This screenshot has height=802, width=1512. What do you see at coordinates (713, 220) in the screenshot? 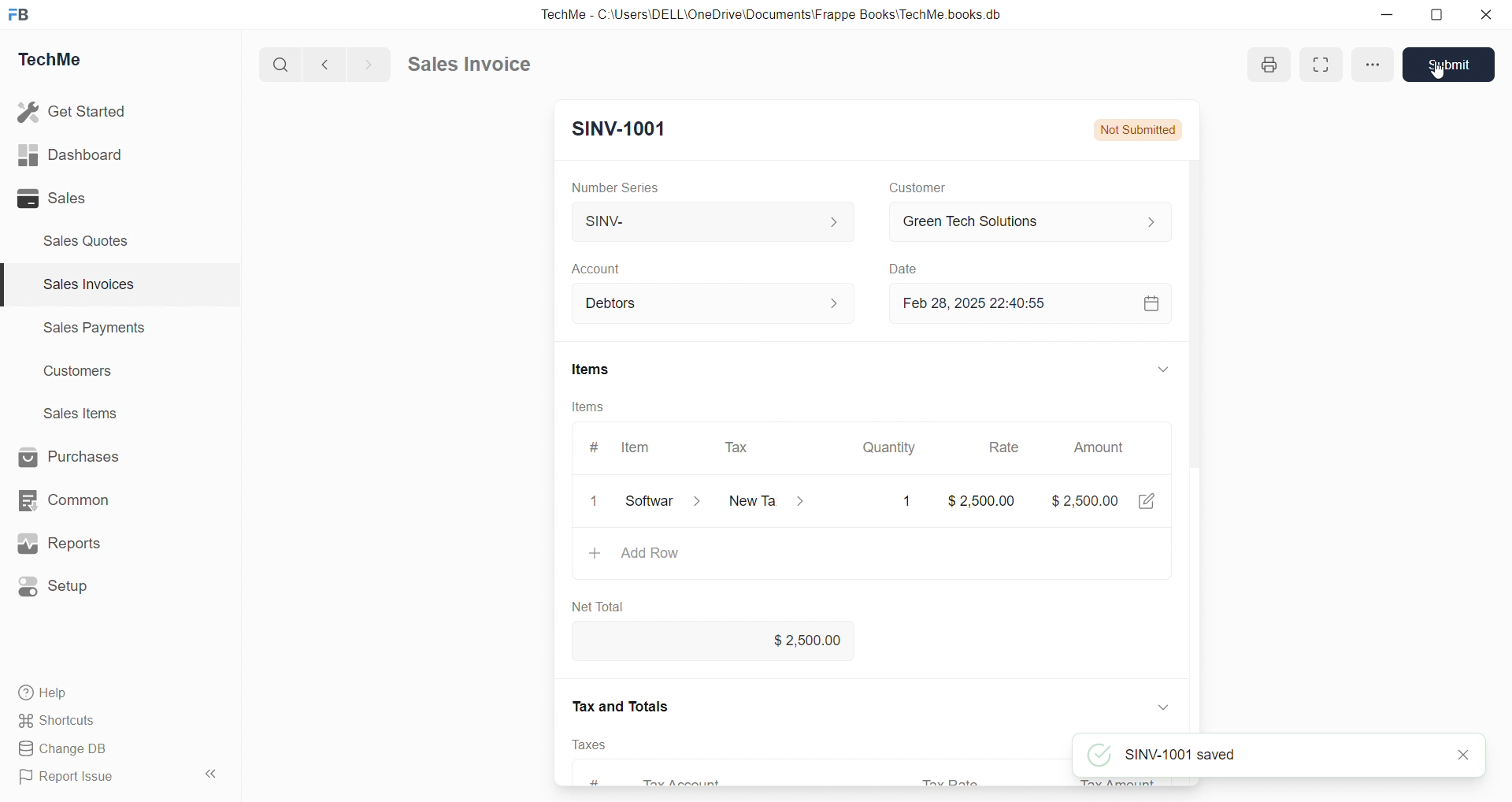
I see `SINV-` at bounding box center [713, 220].